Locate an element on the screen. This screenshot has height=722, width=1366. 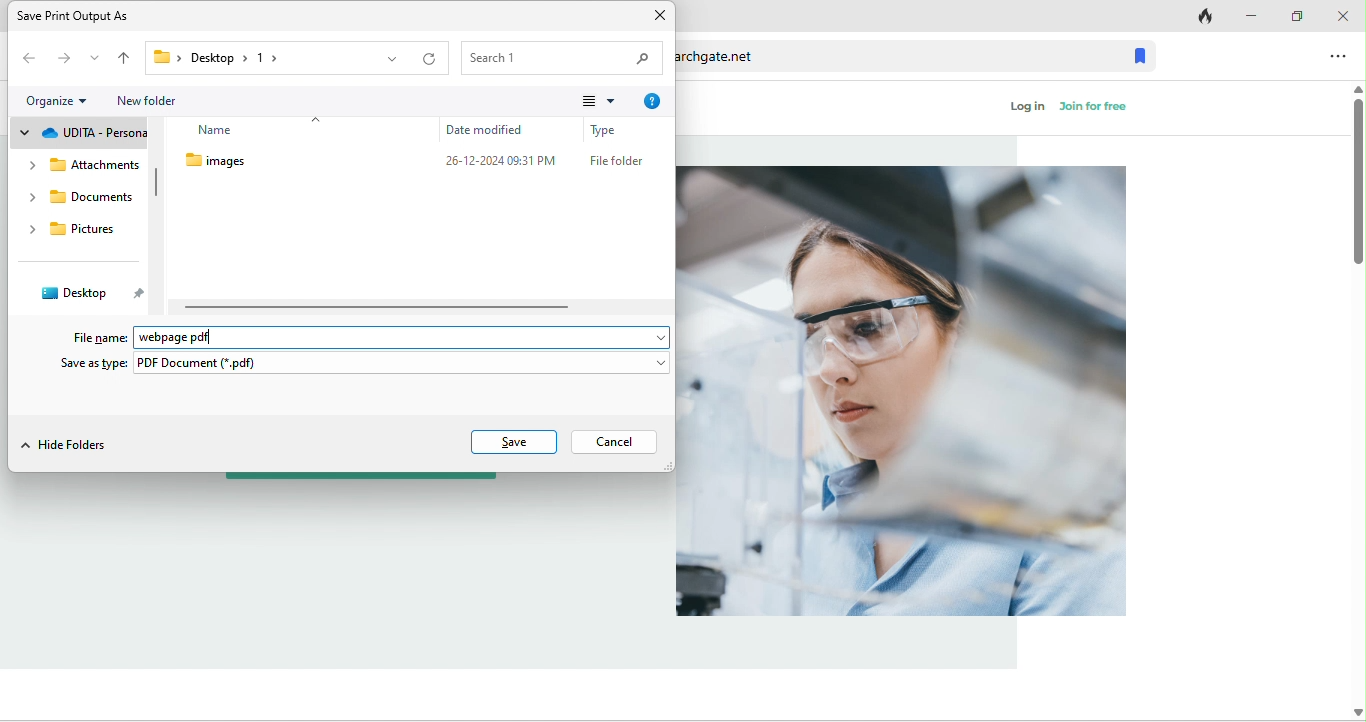
vertical scroll bar is located at coordinates (156, 182).